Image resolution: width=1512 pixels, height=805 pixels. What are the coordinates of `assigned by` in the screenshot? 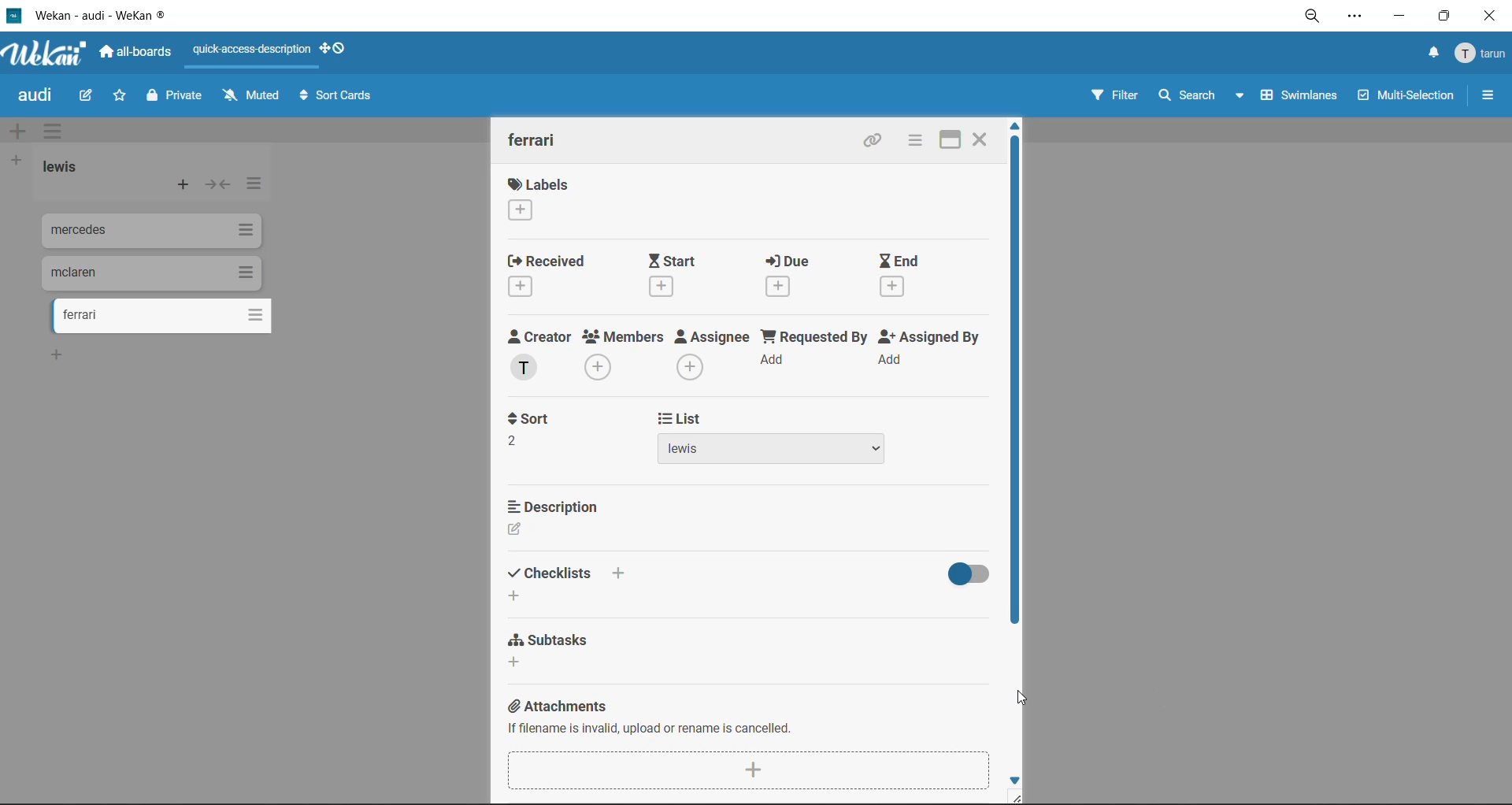 It's located at (928, 354).